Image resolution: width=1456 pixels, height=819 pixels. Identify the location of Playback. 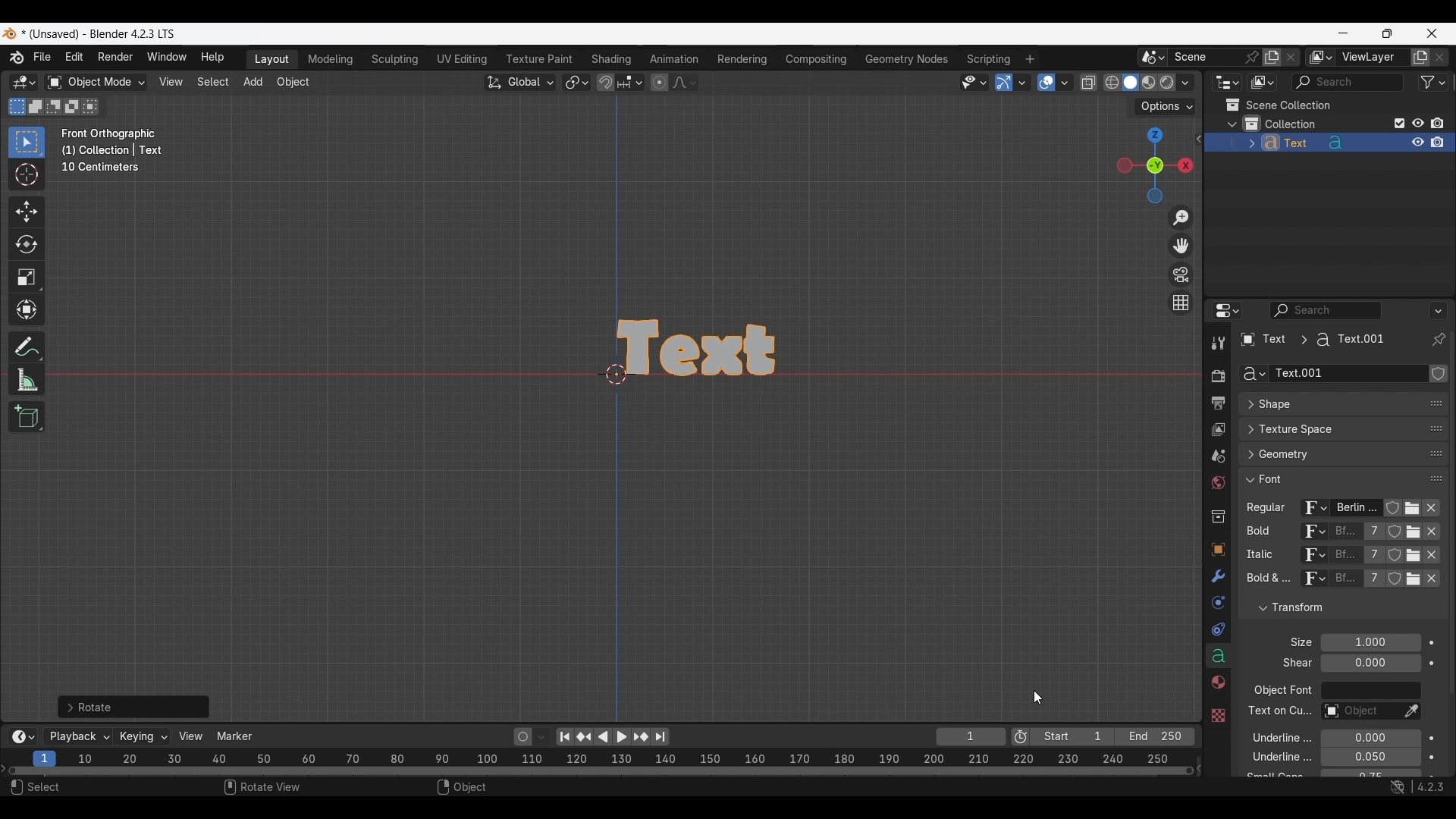
(79, 737).